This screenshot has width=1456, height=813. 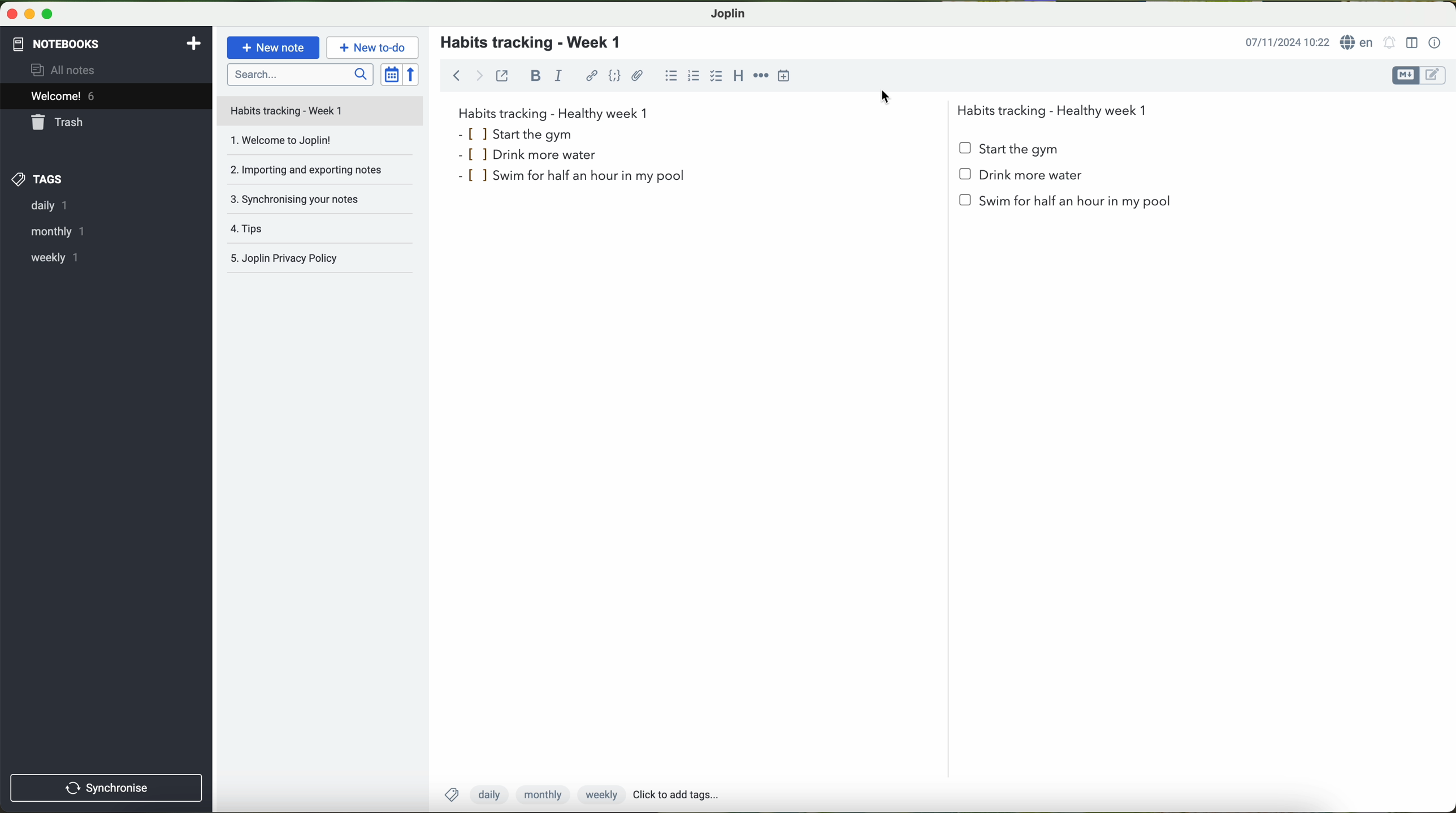 What do you see at coordinates (538, 43) in the screenshot?
I see `habits tracking - week 1` at bounding box center [538, 43].